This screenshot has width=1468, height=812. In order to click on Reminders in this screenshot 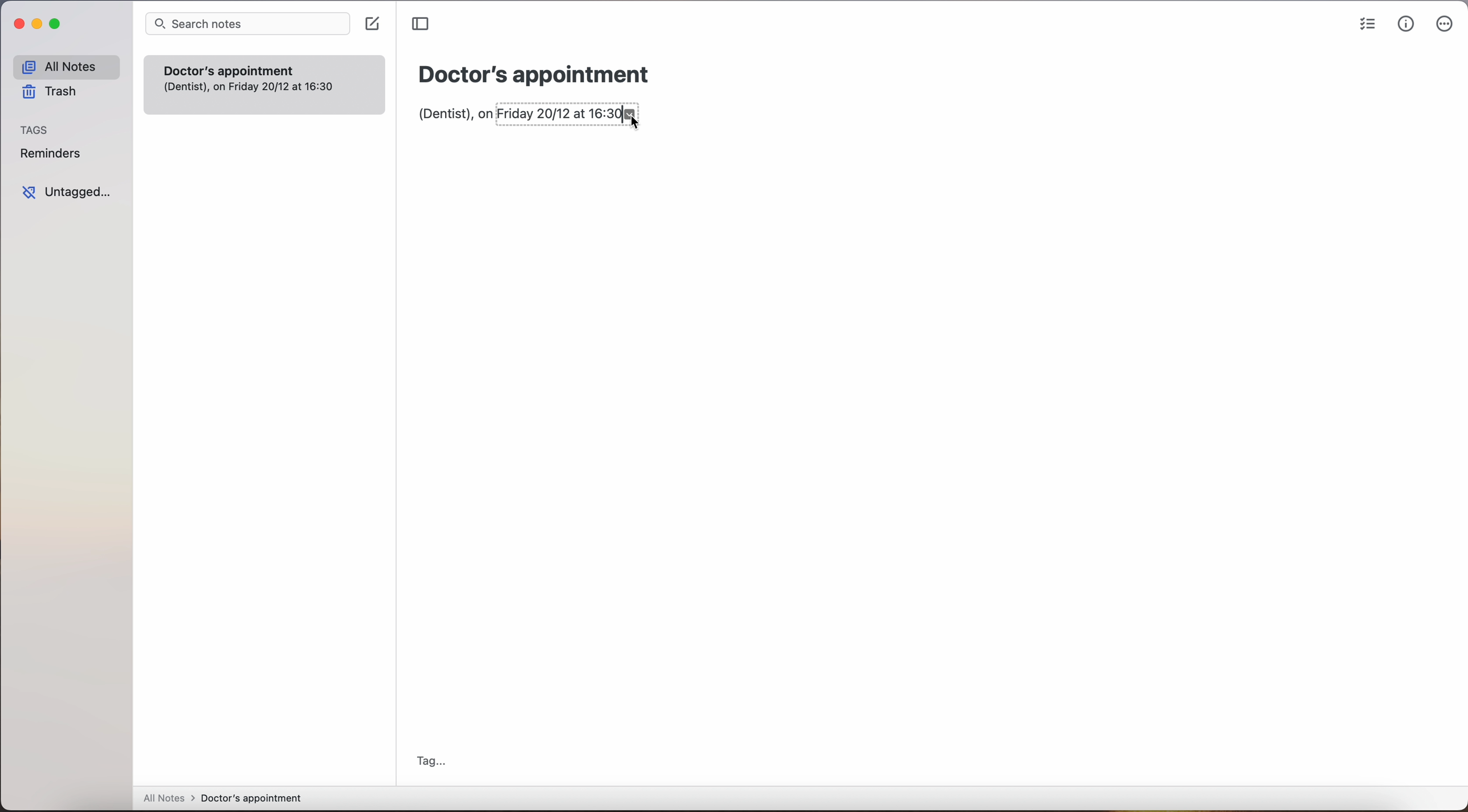, I will do `click(55, 154)`.